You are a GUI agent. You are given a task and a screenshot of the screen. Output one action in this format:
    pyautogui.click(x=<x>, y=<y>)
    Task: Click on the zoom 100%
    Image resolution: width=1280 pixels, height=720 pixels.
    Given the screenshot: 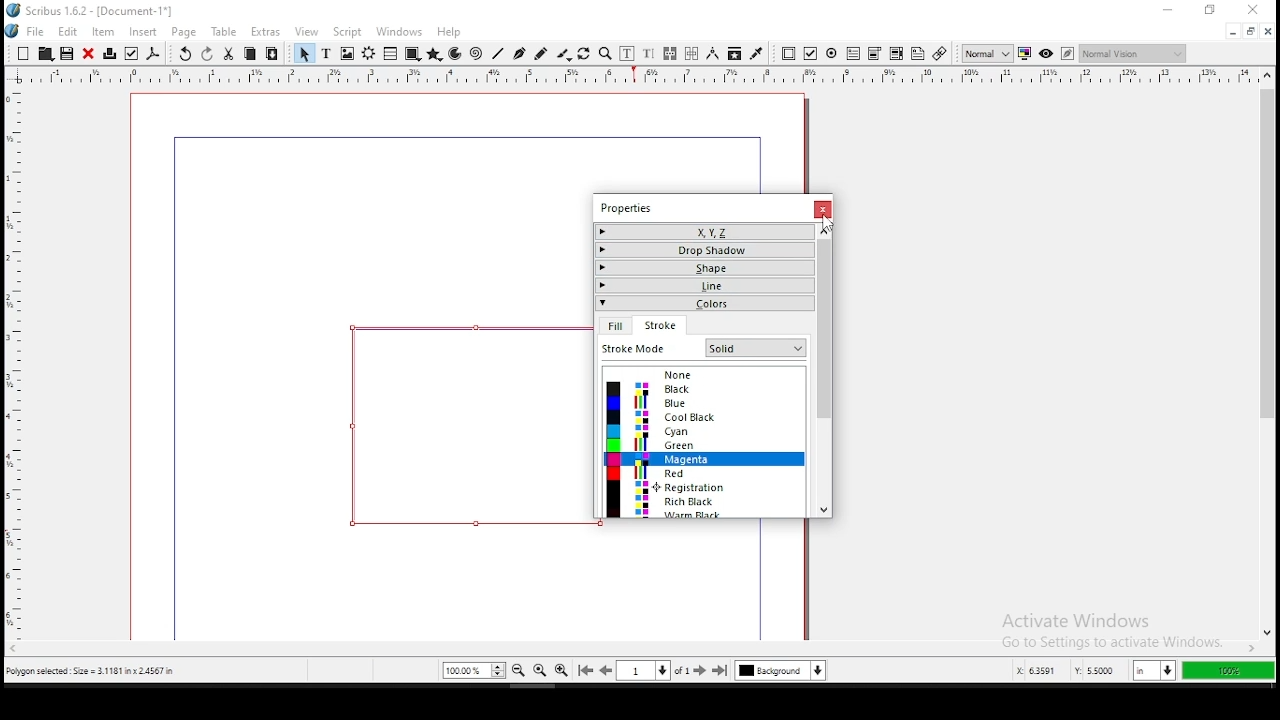 What is the action you would take?
    pyautogui.click(x=540, y=670)
    